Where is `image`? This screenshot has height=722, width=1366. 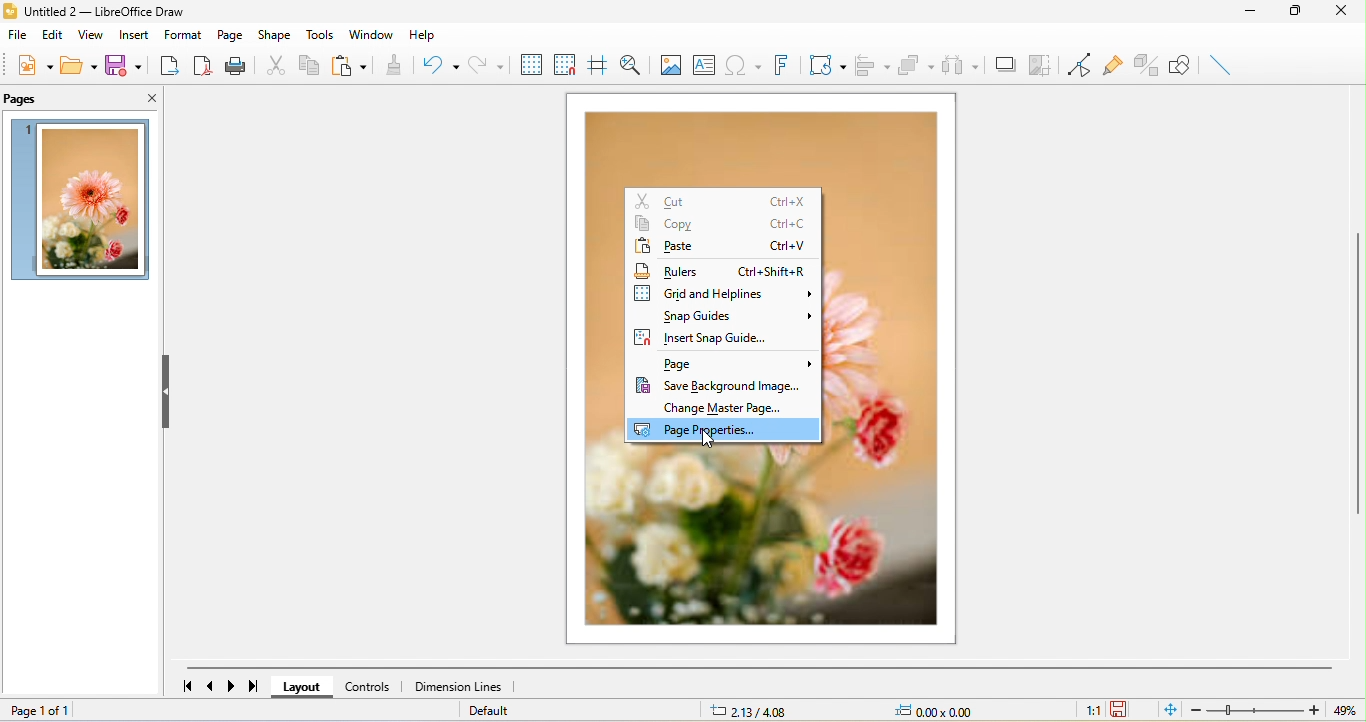 image is located at coordinates (675, 65).